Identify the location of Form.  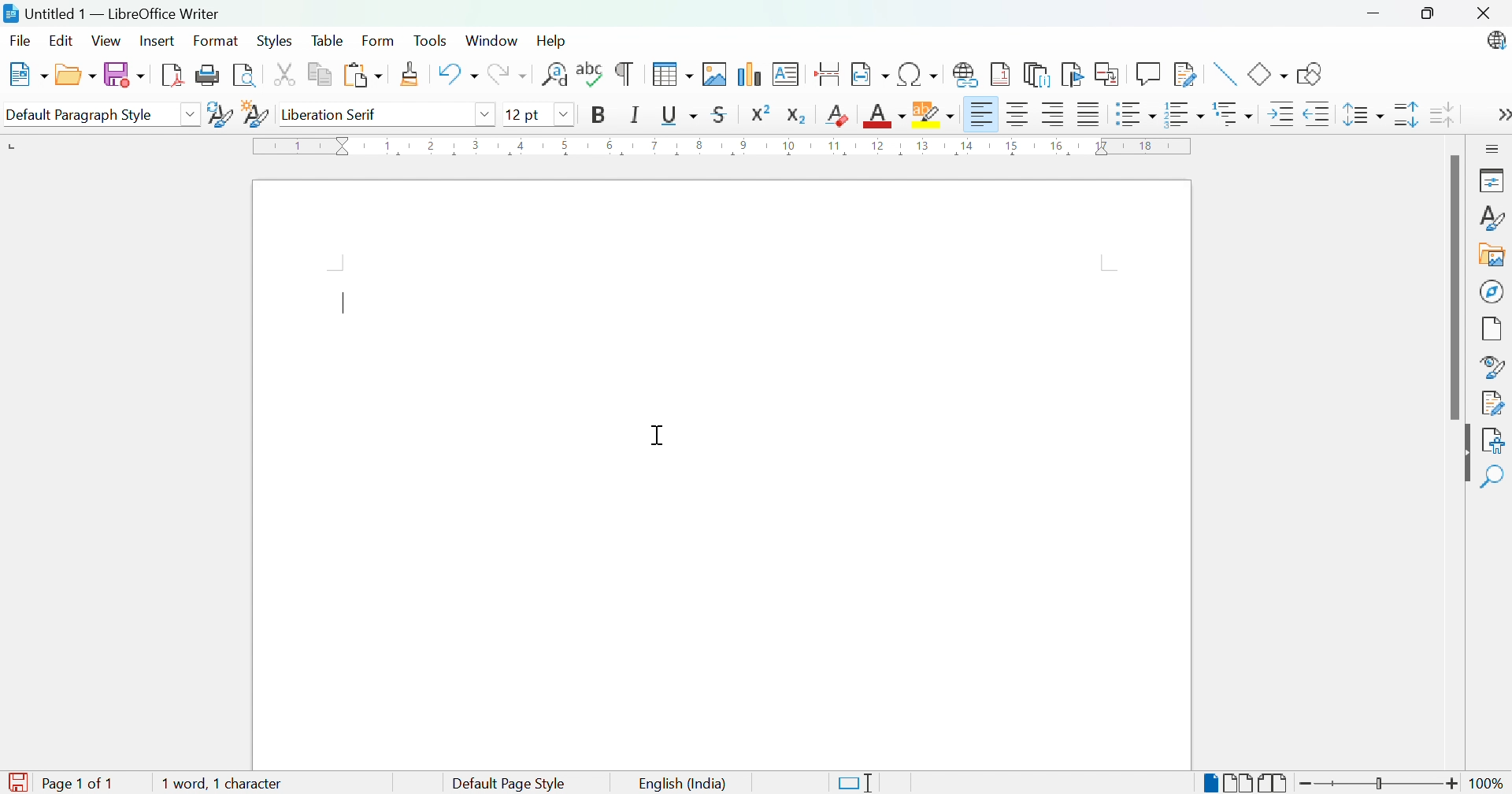
(378, 40).